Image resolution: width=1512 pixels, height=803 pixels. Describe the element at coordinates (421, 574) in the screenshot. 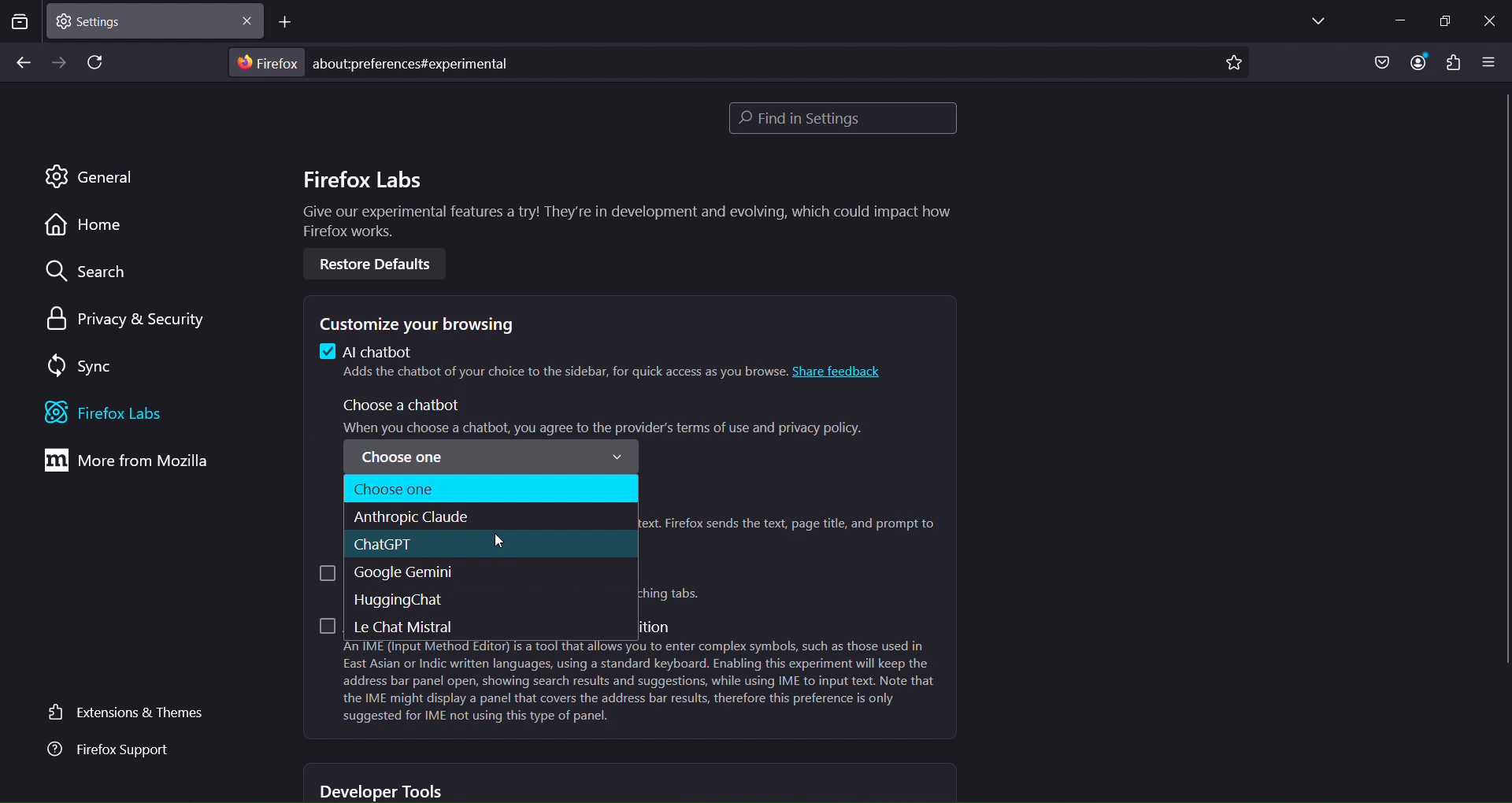

I see `google gemini` at that location.